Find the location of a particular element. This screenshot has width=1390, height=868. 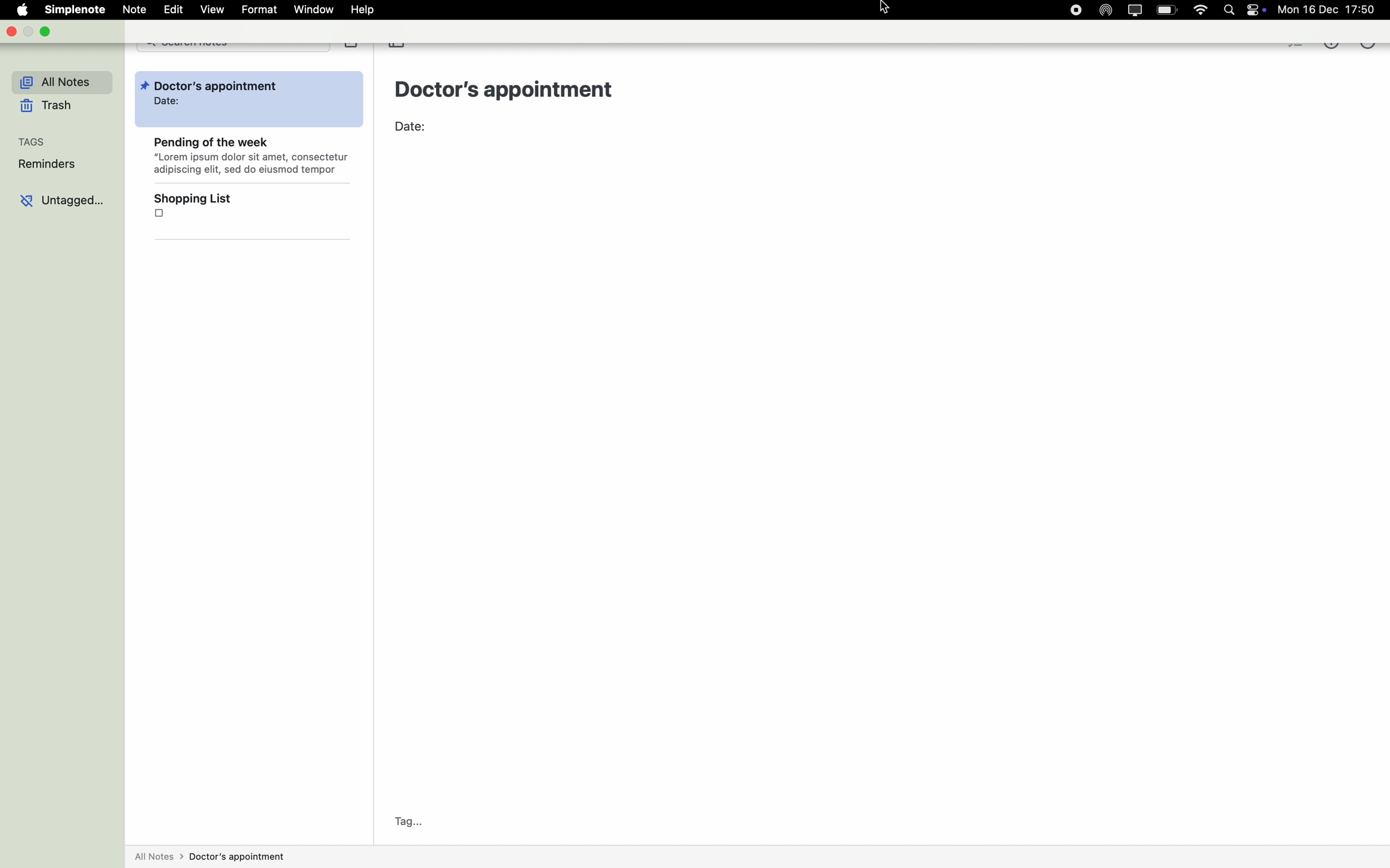

doctor's appointment pined to top is located at coordinates (248, 100).